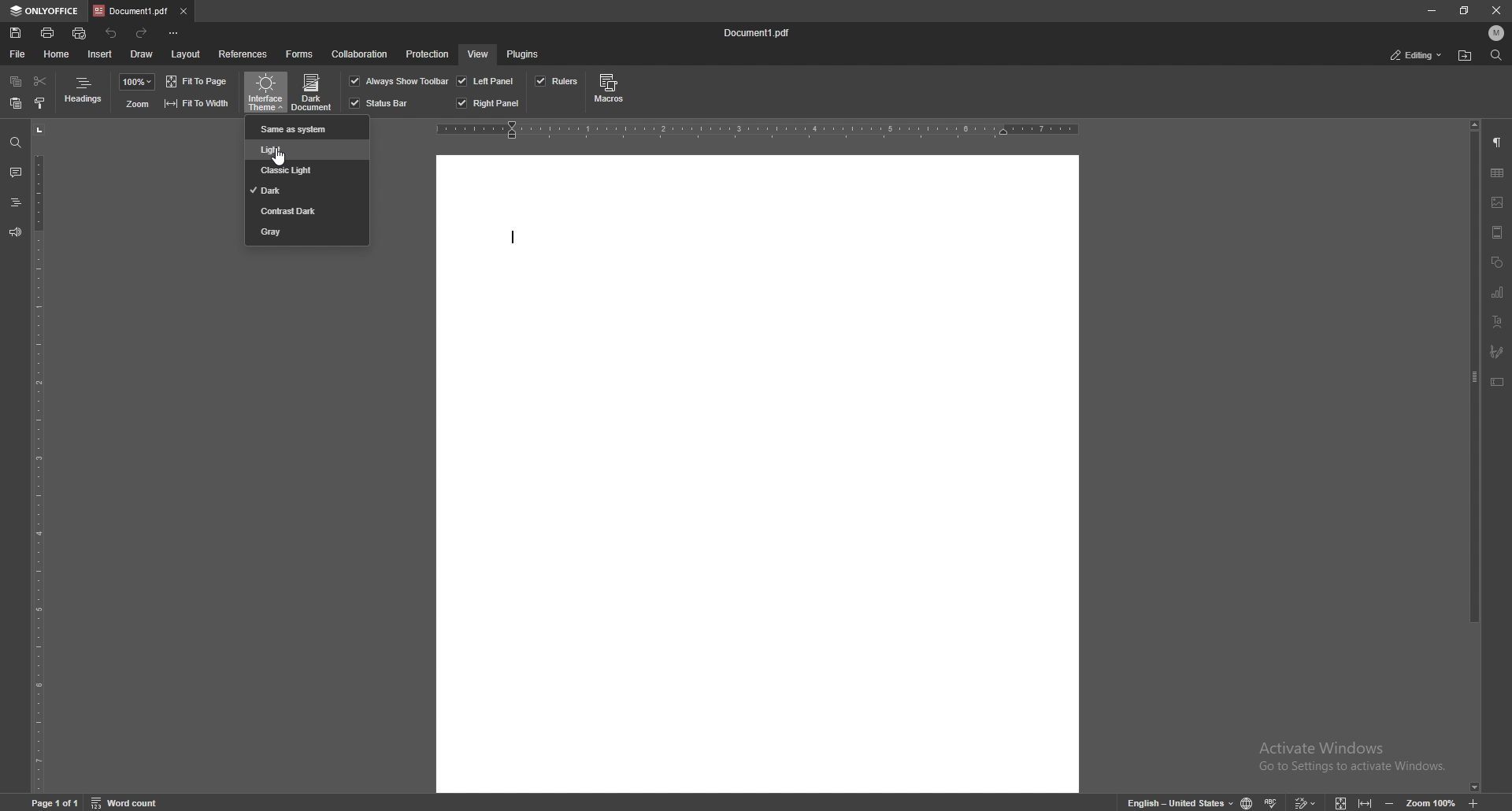  What do you see at coordinates (1497, 33) in the screenshot?
I see `profile` at bounding box center [1497, 33].